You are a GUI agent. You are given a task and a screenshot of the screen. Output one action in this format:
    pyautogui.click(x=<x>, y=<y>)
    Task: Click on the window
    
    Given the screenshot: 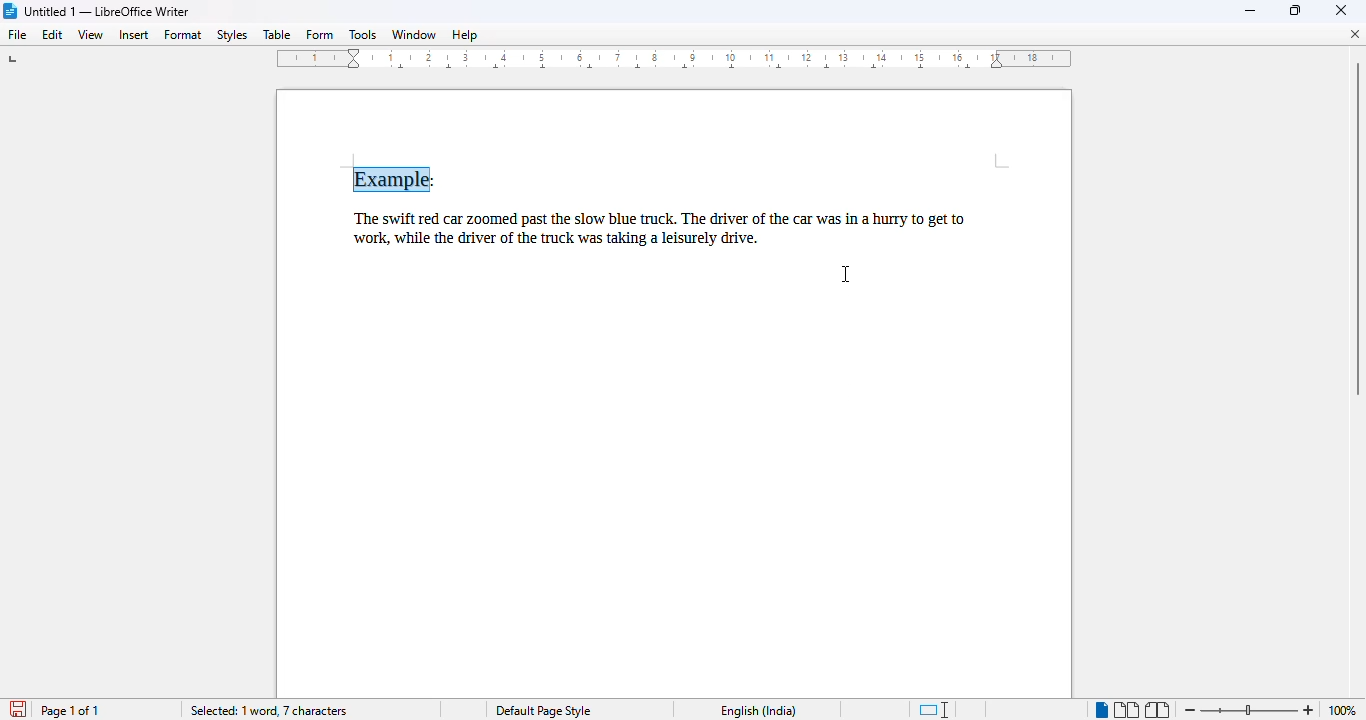 What is the action you would take?
    pyautogui.click(x=414, y=34)
    